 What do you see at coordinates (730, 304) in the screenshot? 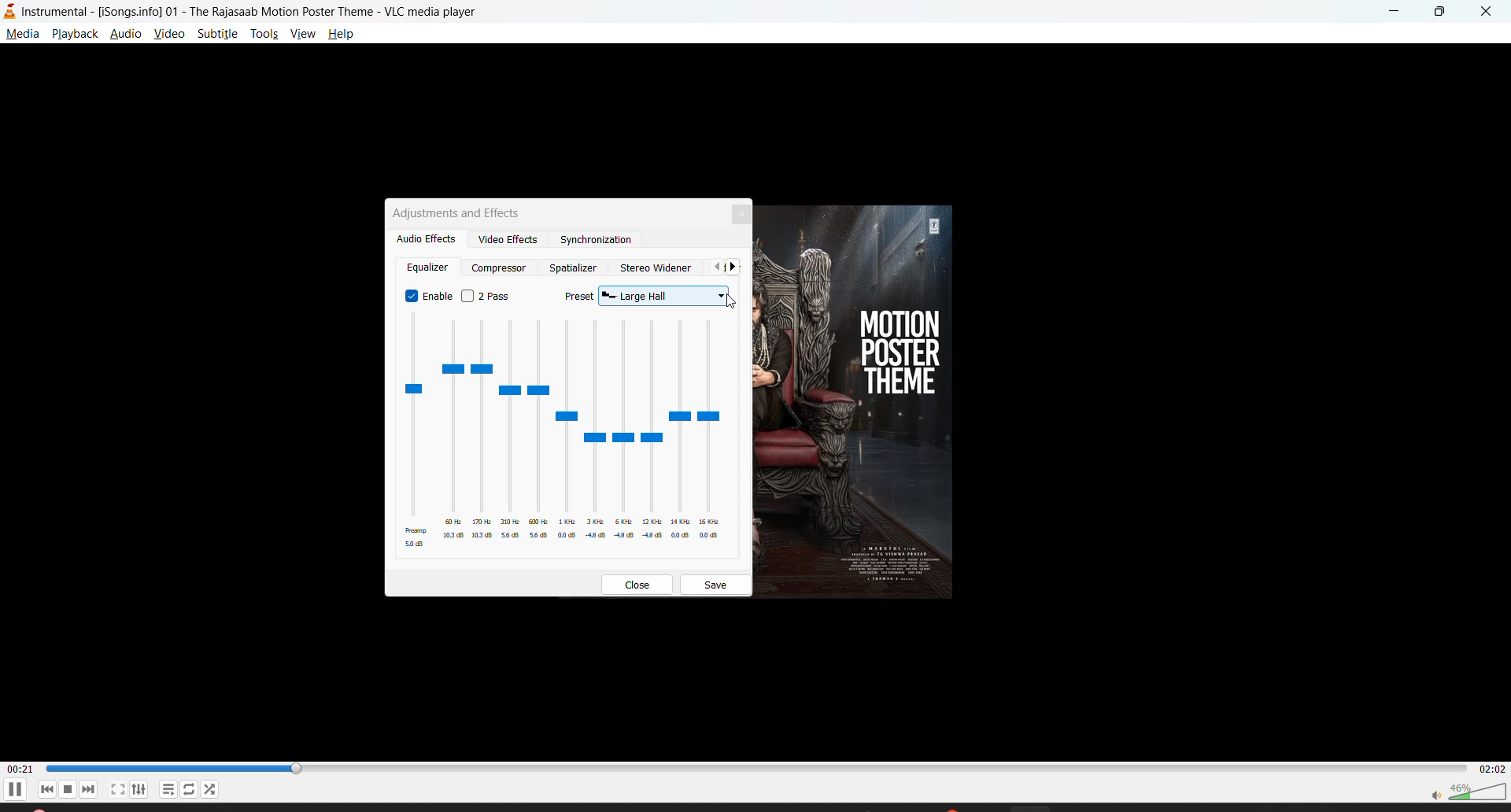
I see `Cursor` at bounding box center [730, 304].